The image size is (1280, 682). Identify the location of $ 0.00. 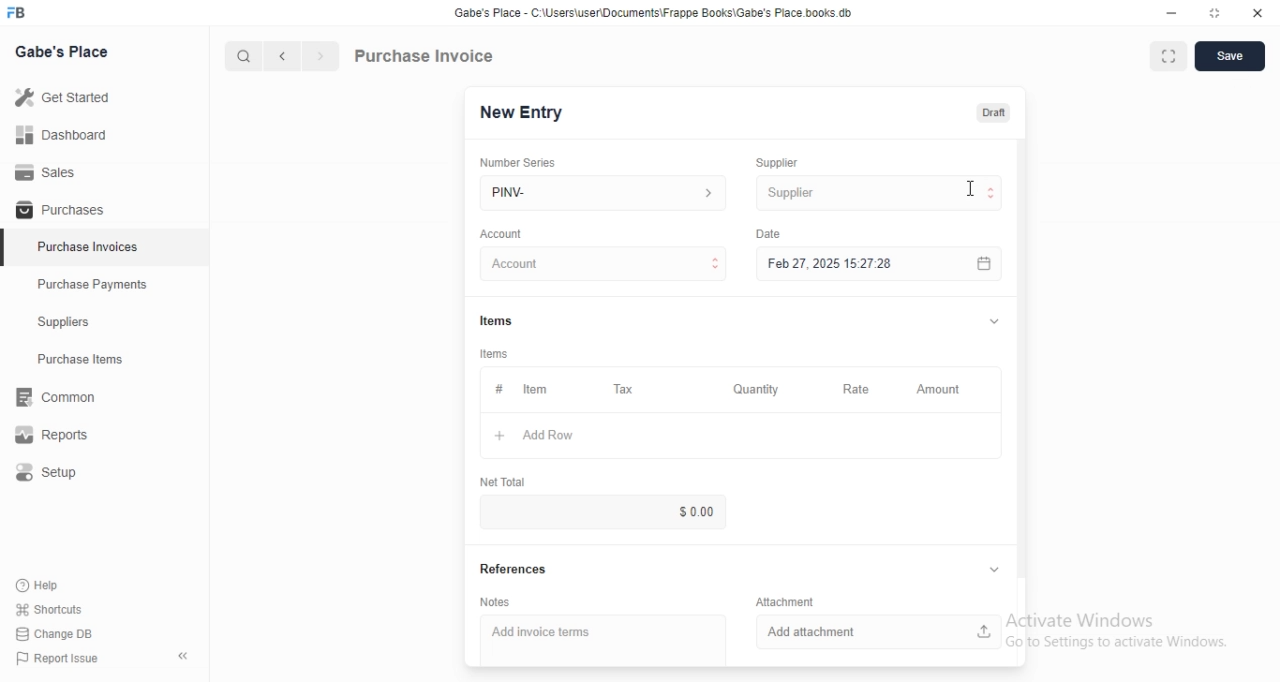
(602, 512).